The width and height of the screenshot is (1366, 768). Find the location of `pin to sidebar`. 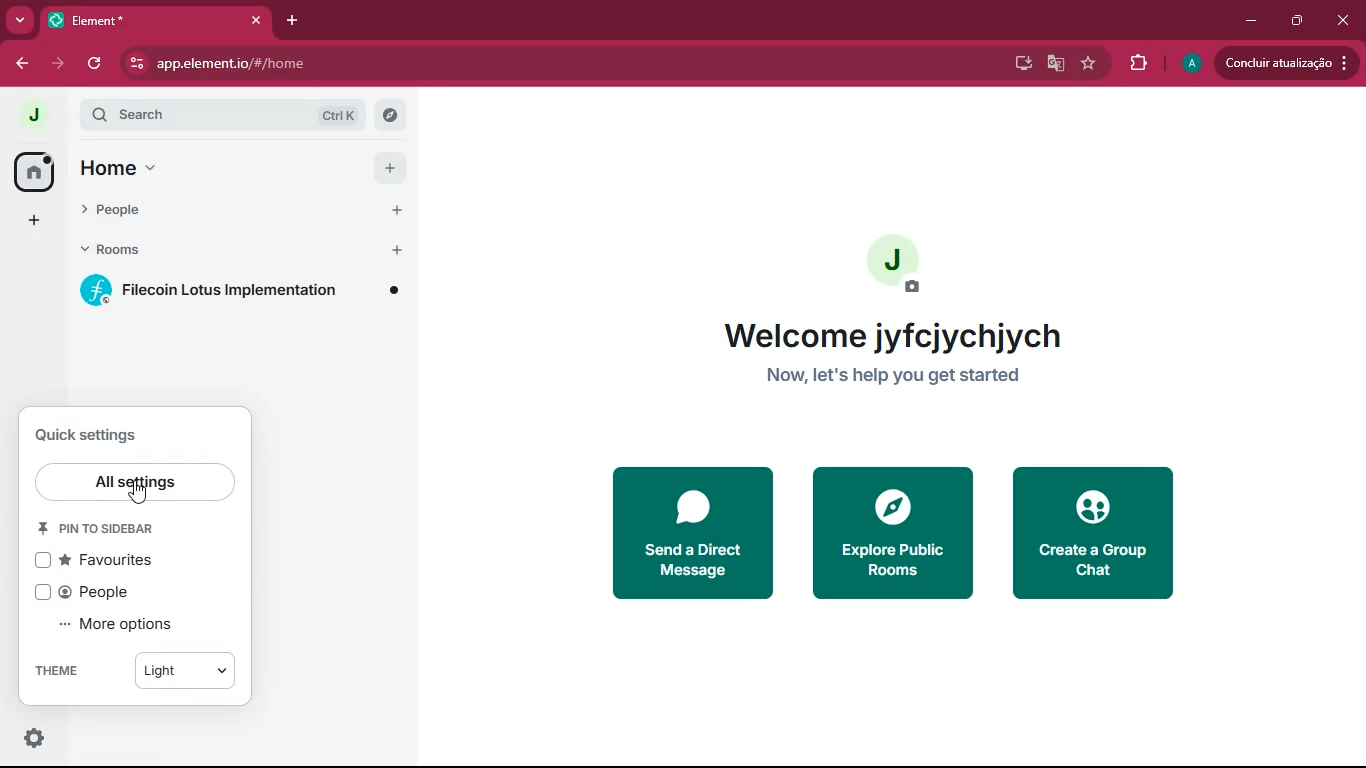

pin to sidebar is located at coordinates (96, 527).